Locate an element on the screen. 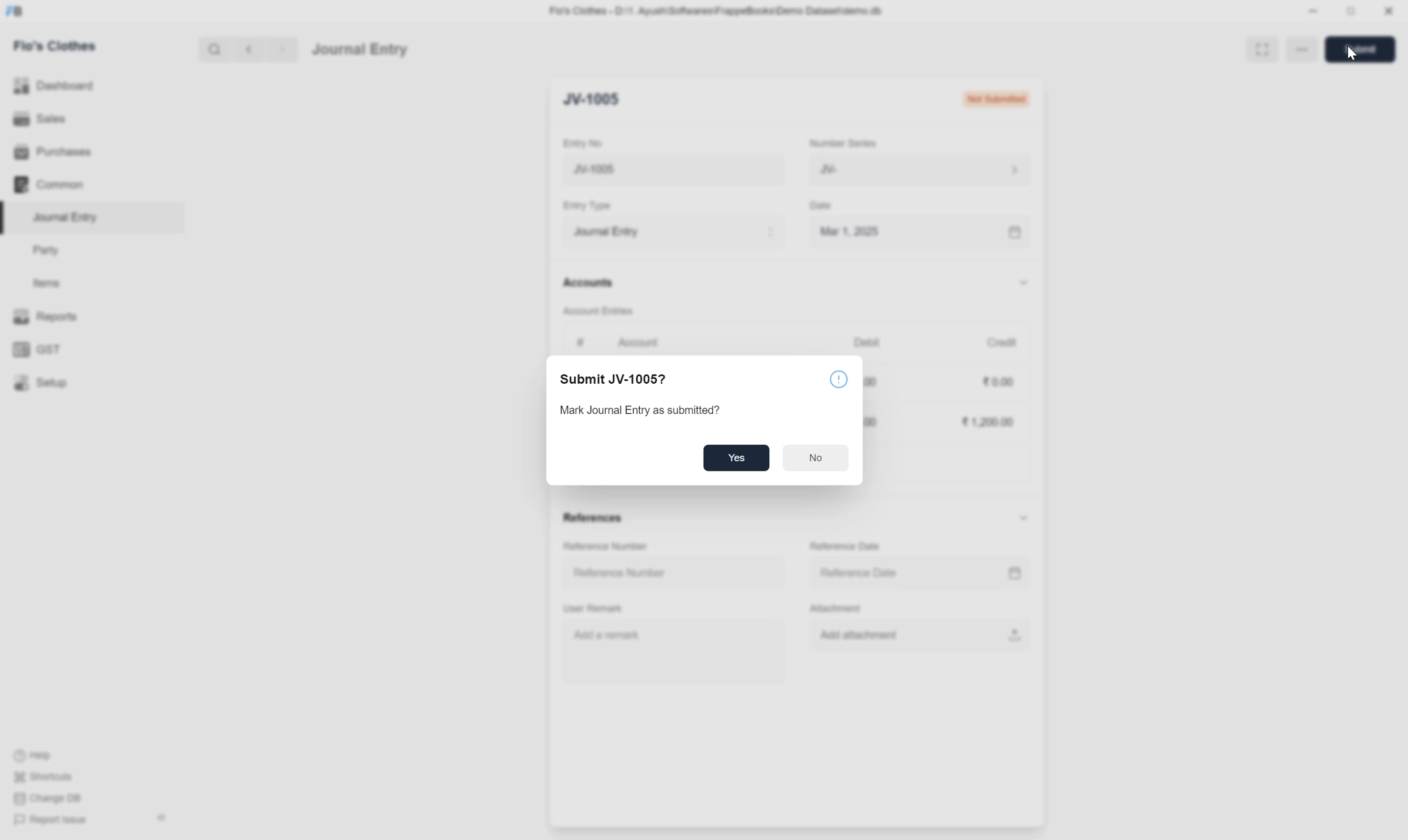 This screenshot has width=1408, height=840. Dashboard is located at coordinates (55, 85).